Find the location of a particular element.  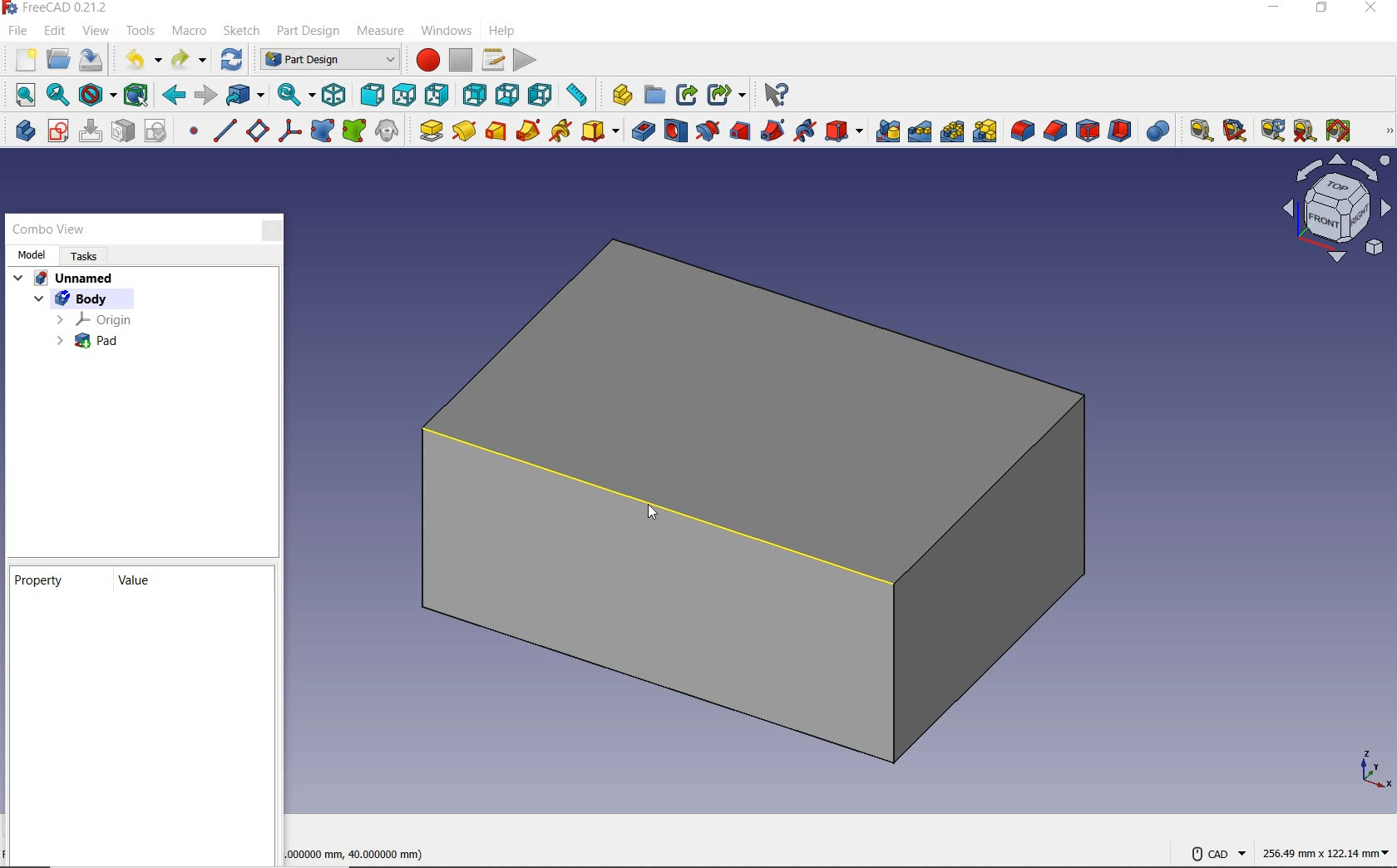

view is located at coordinates (96, 31).